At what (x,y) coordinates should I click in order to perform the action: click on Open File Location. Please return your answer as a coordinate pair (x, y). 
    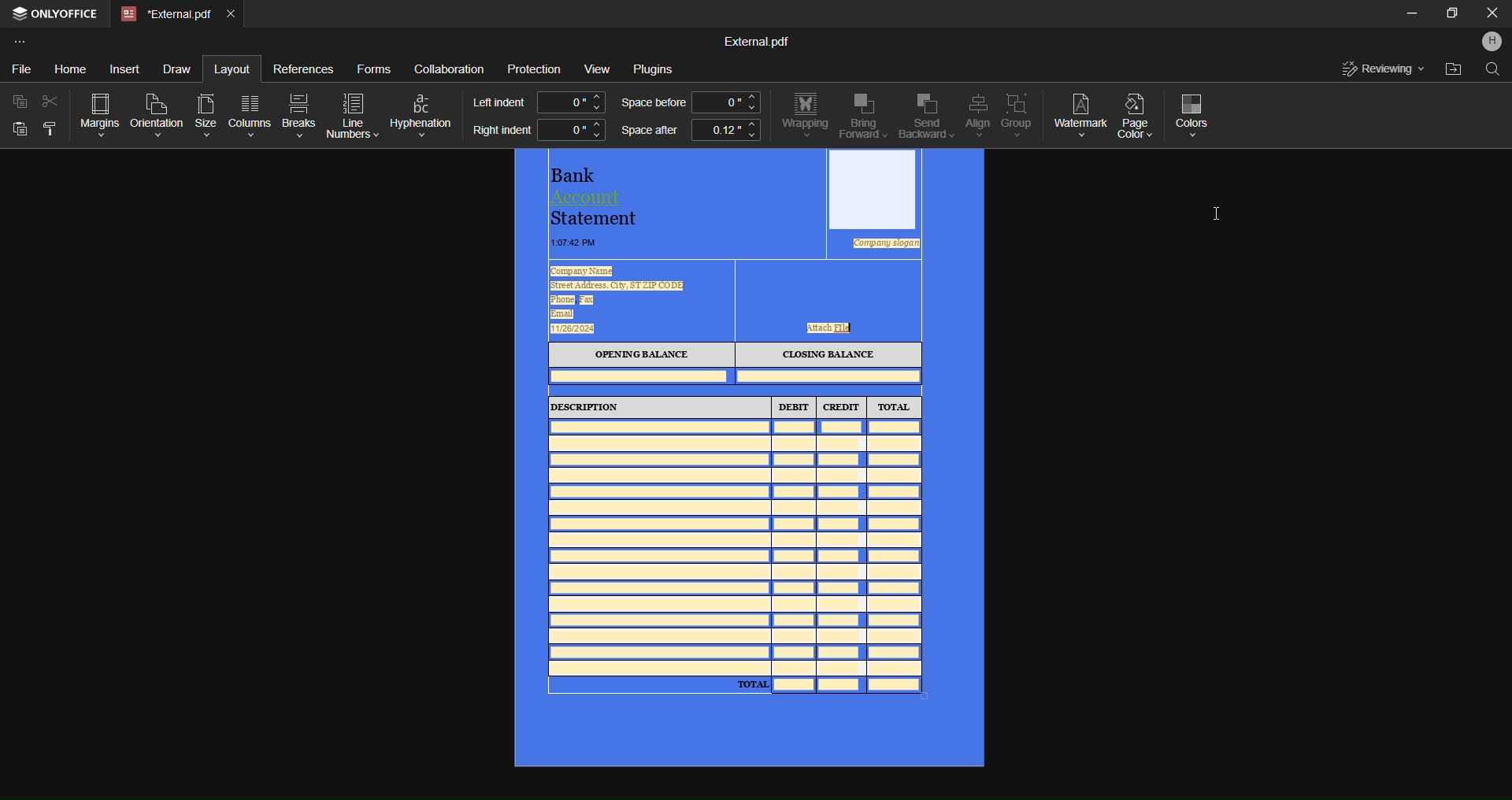
    Looking at the image, I should click on (1451, 69).